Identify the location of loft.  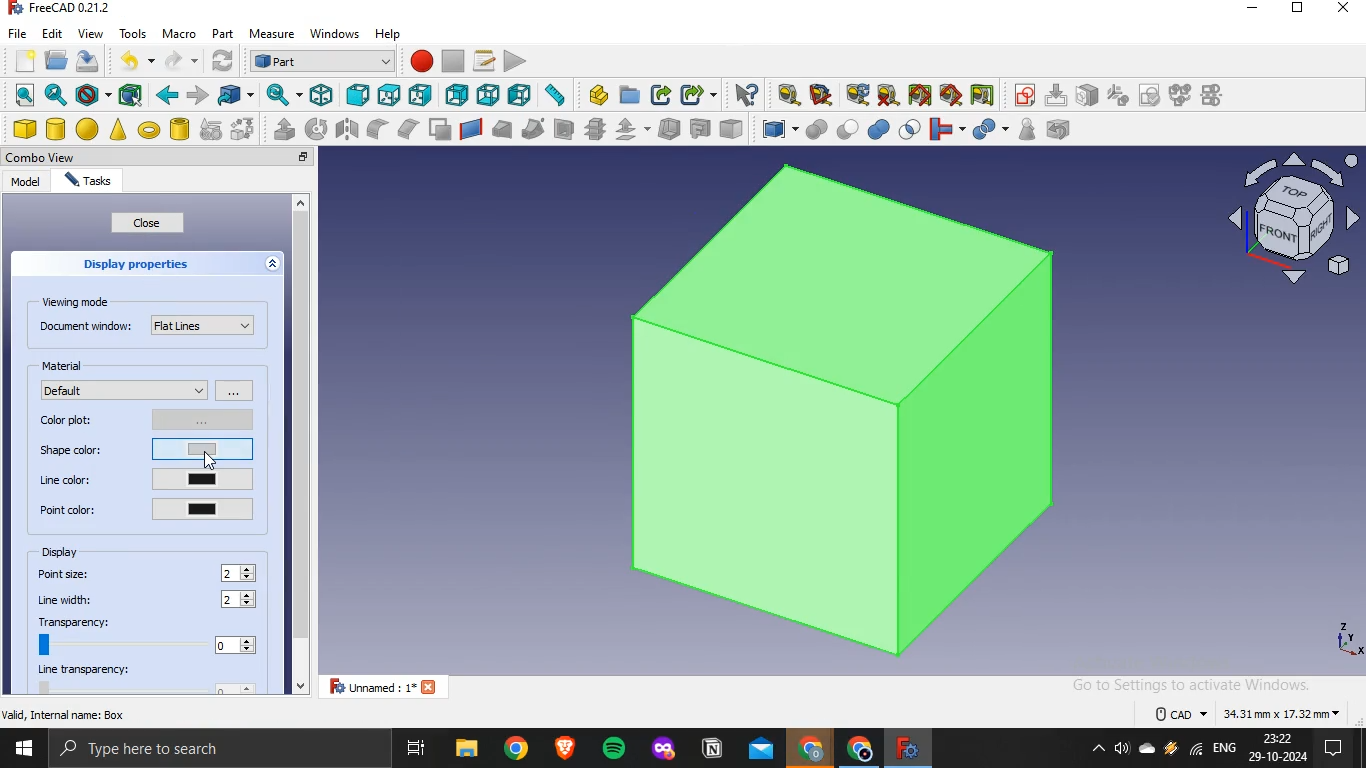
(501, 129).